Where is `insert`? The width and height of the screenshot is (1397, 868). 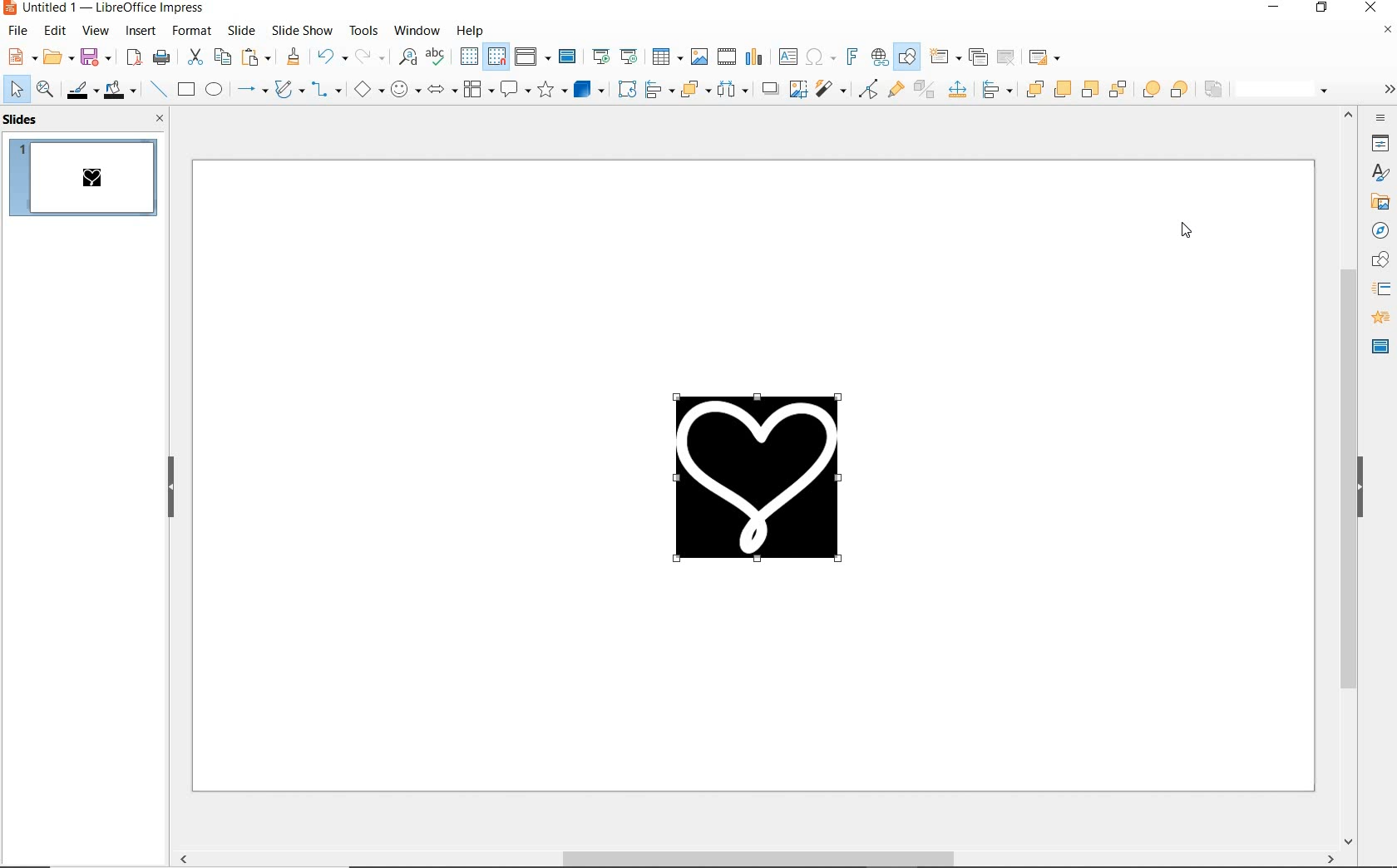
insert is located at coordinates (141, 33).